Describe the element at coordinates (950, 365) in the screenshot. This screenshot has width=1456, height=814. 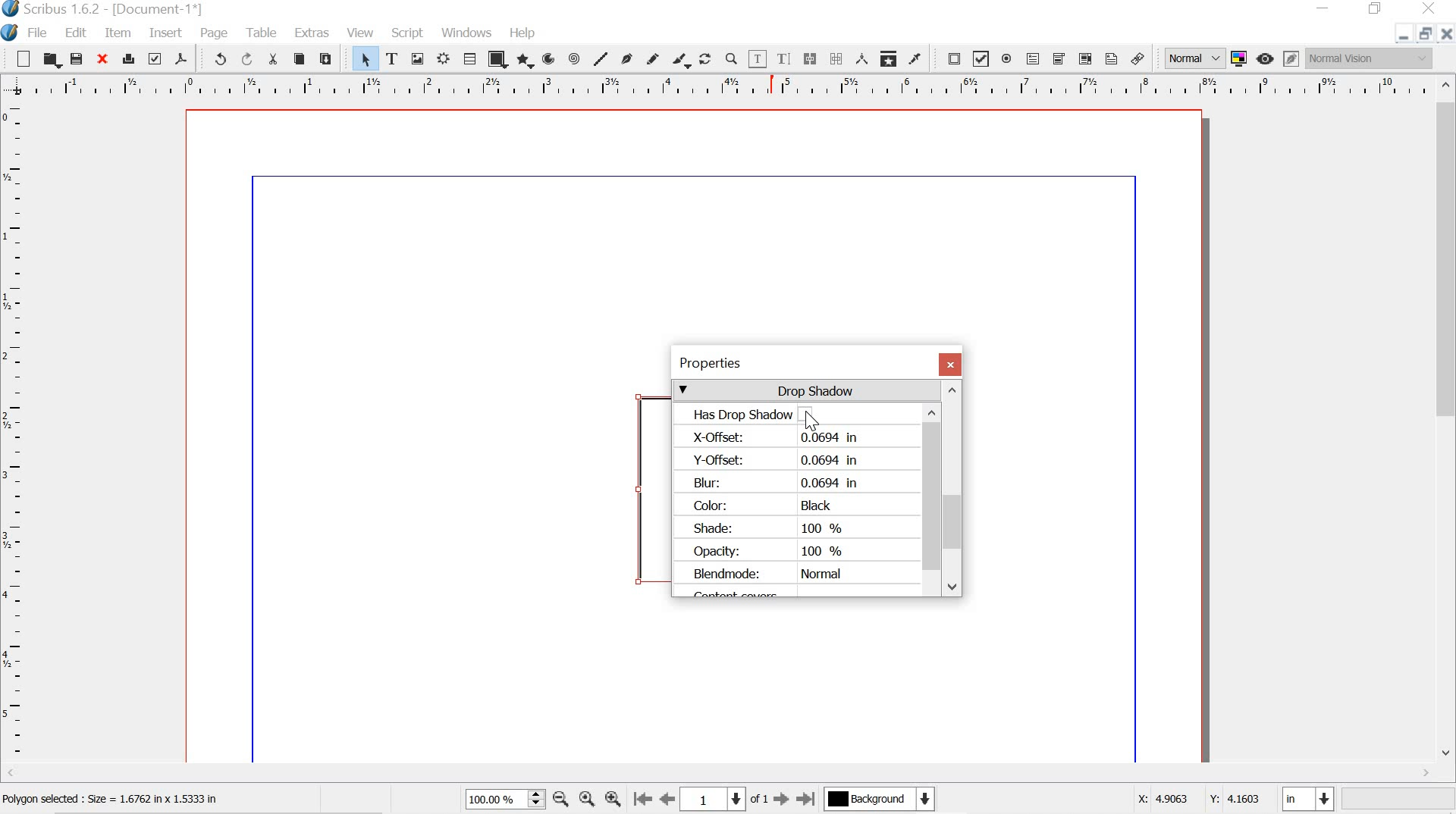
I see `close` at that location.